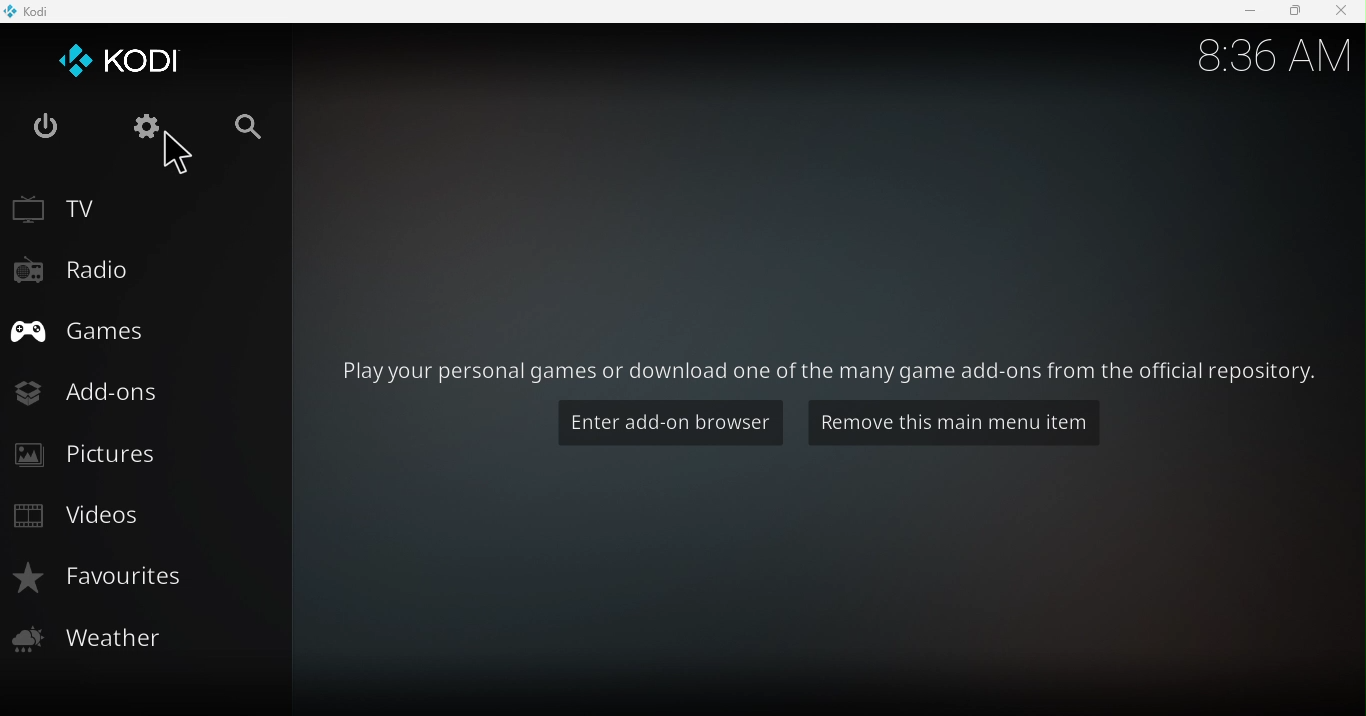 The width and height of the screenshot is (1366, 716). Describe the element at coordinates (668, 425) in the screenshot. I see `Enter add-on browser` at that location.